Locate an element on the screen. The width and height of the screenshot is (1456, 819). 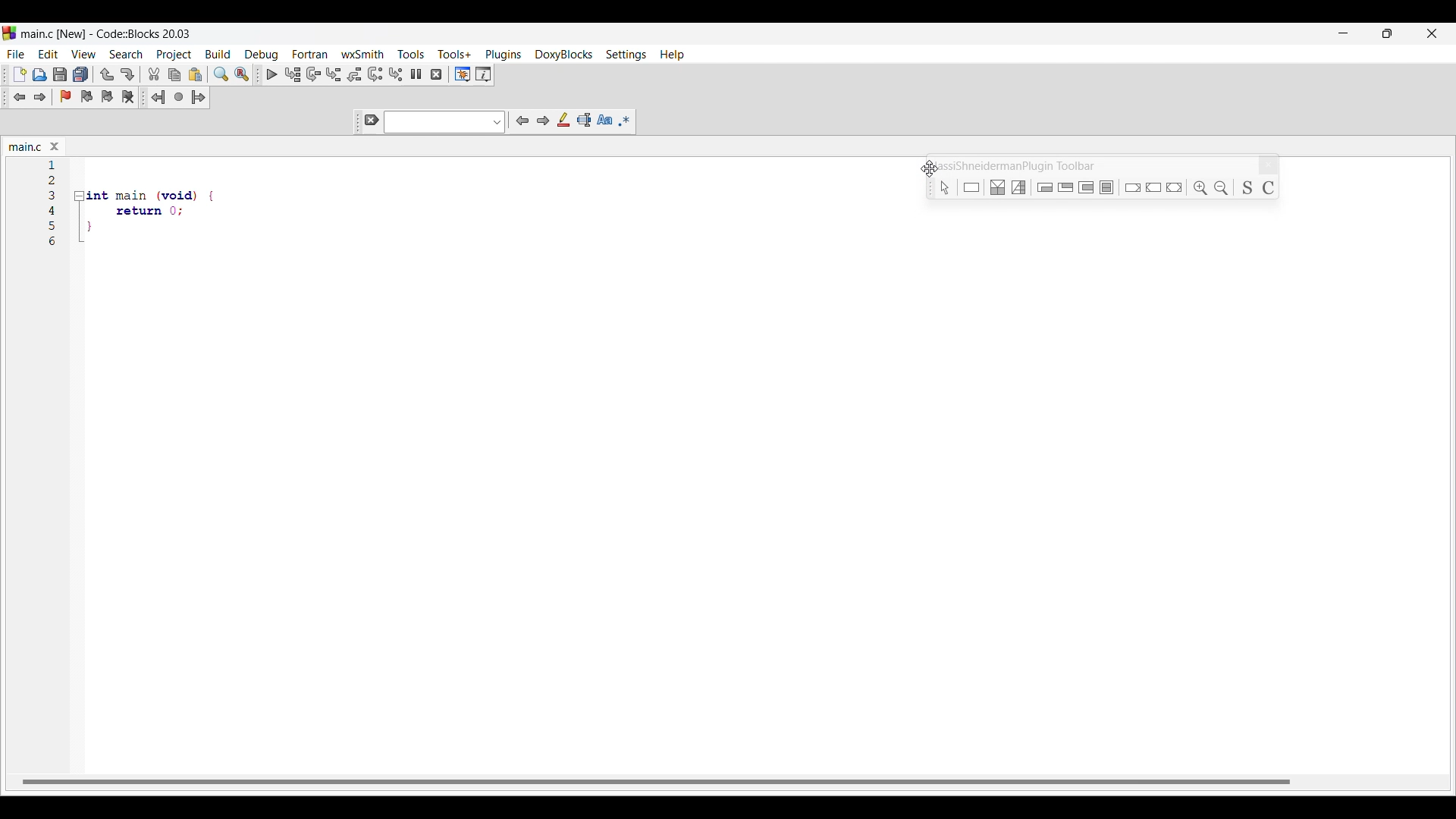
Redo is located at coordinates (127, 74).